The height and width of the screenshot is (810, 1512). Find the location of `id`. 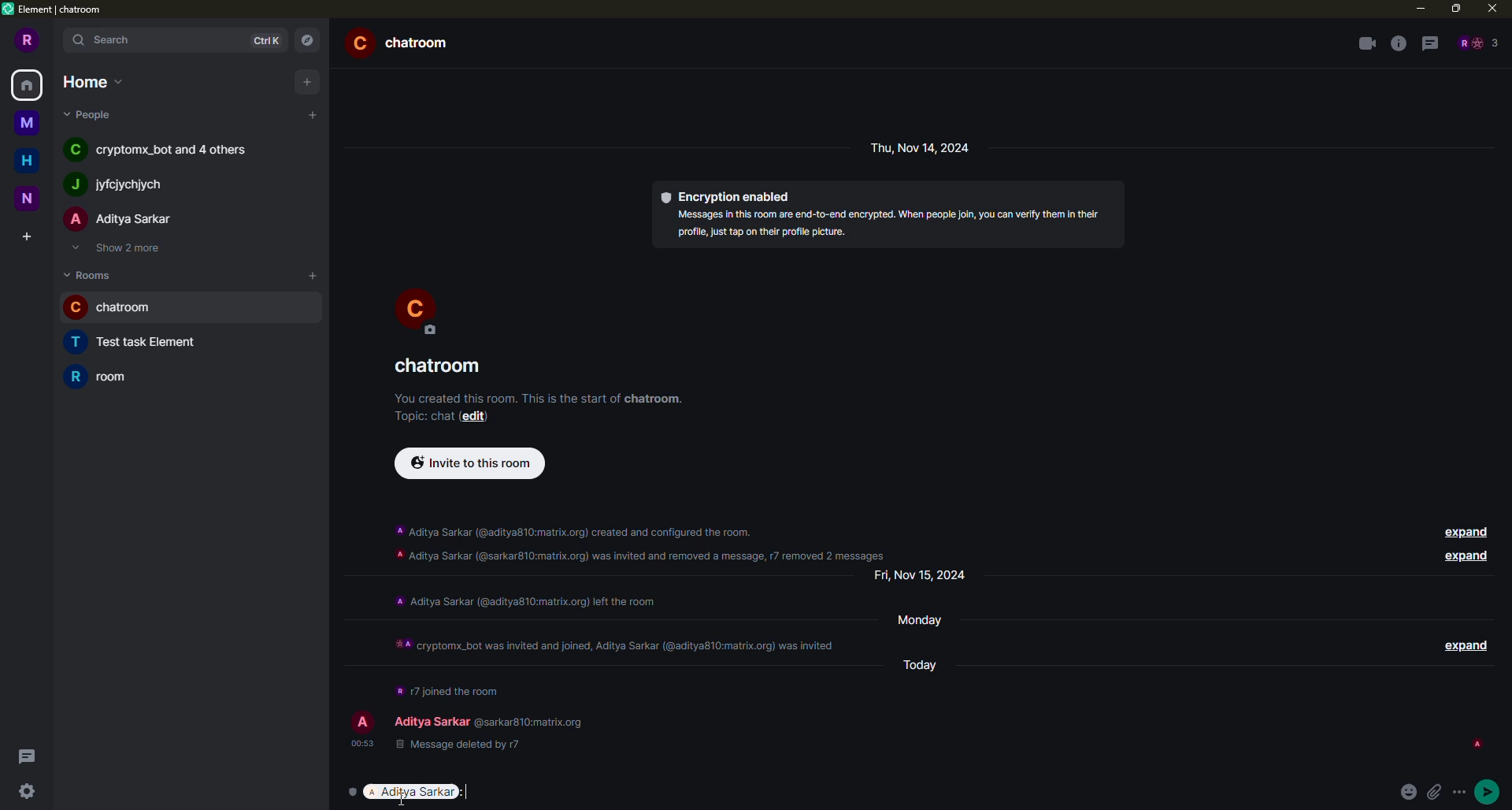

id is located at coordinates (1310, 745).